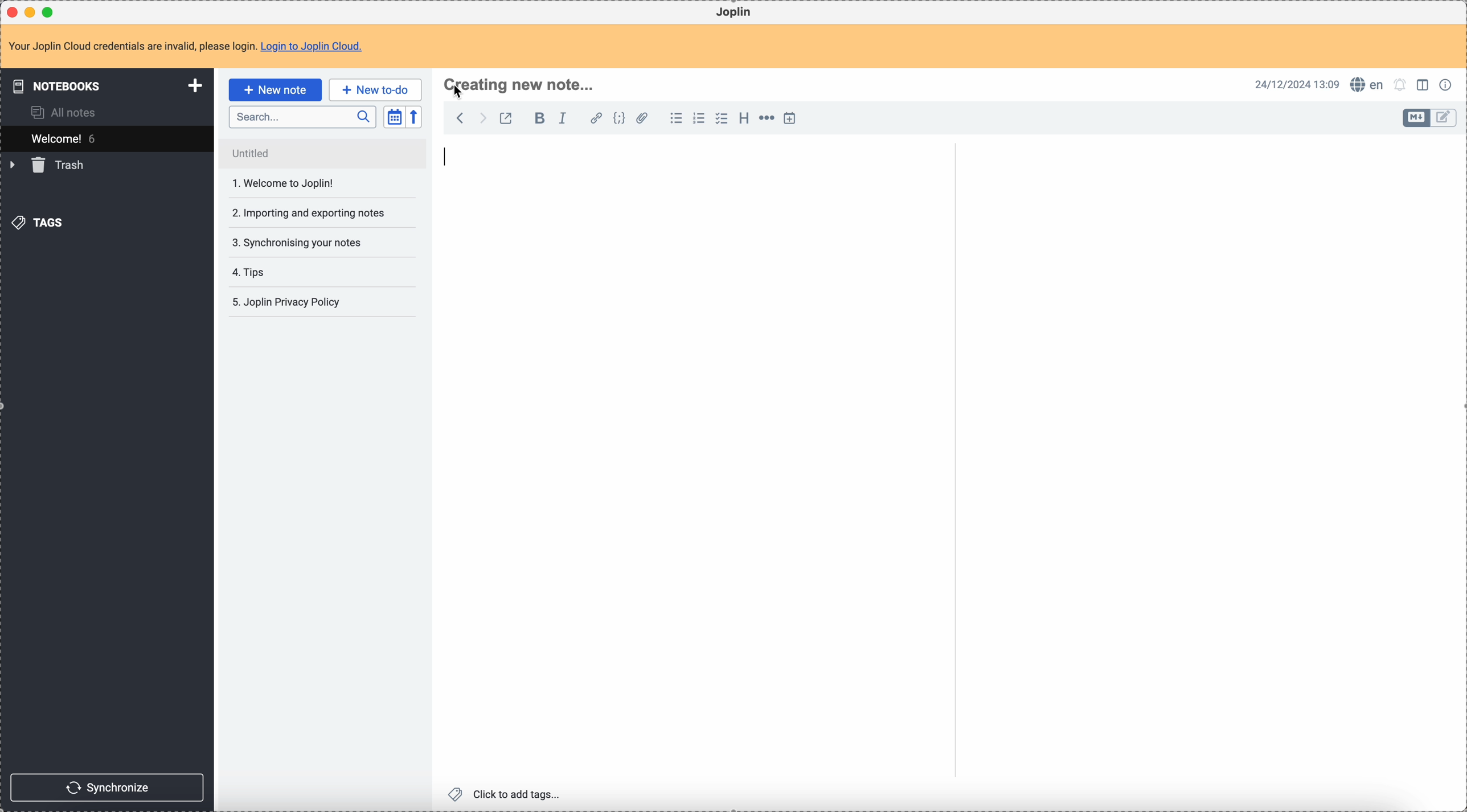  What do you see at coordinates (306, 215) in the screenshot?
I see `importing and exporting your notes` at bounding box center [306, 215].